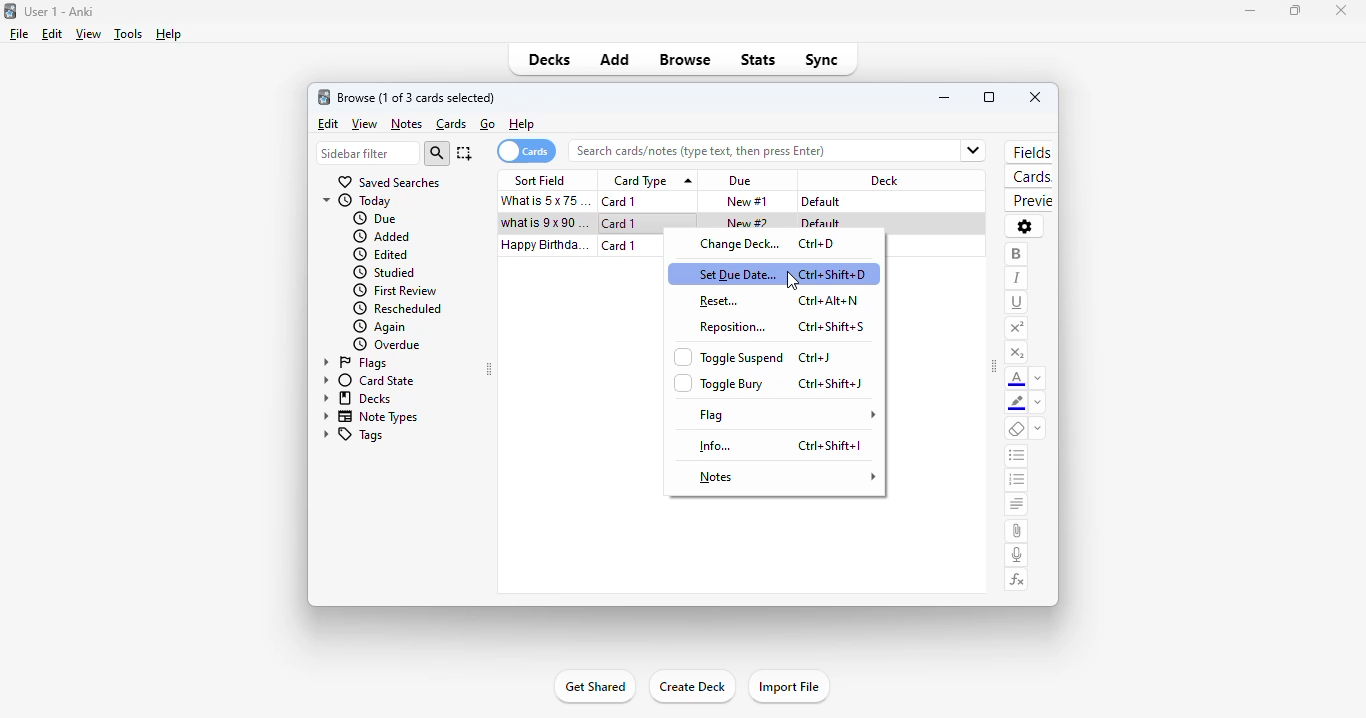 This screenshot has height=718, width=1366. I want to click on help, so click(522, 125).